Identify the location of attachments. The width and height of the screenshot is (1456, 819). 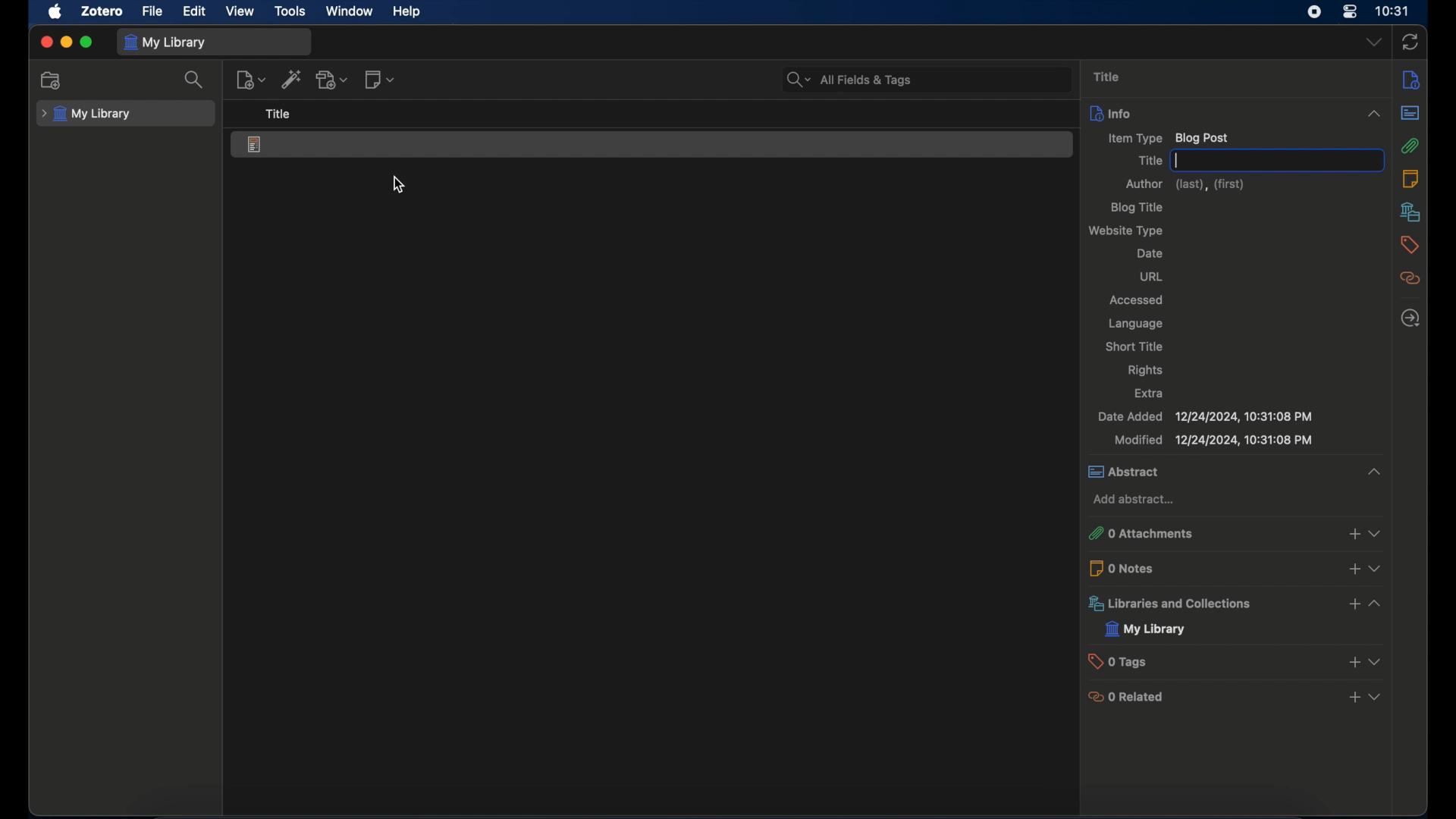
(1411, 146).